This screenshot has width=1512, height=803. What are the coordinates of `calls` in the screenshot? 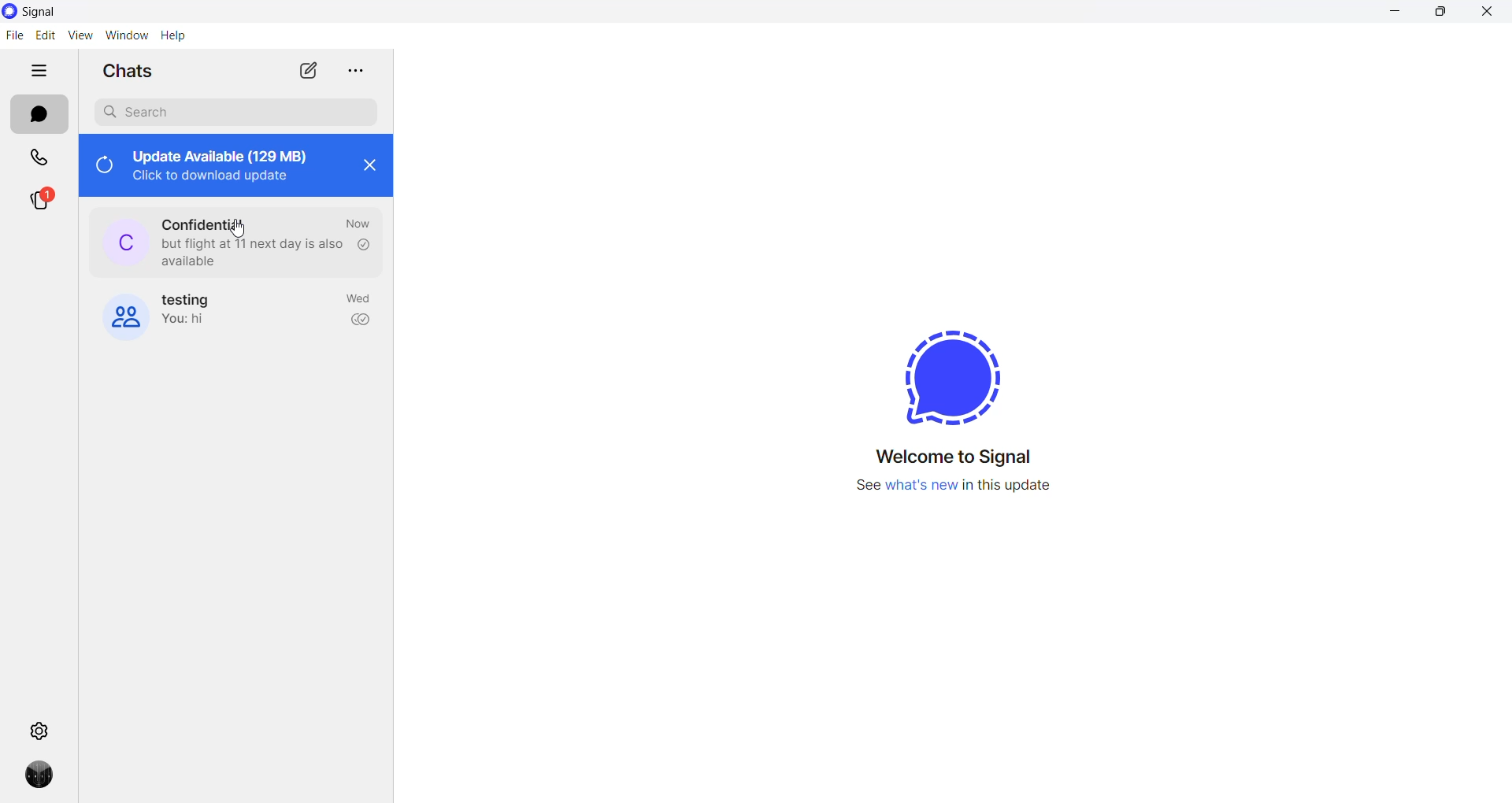 It's located at (35, 157).